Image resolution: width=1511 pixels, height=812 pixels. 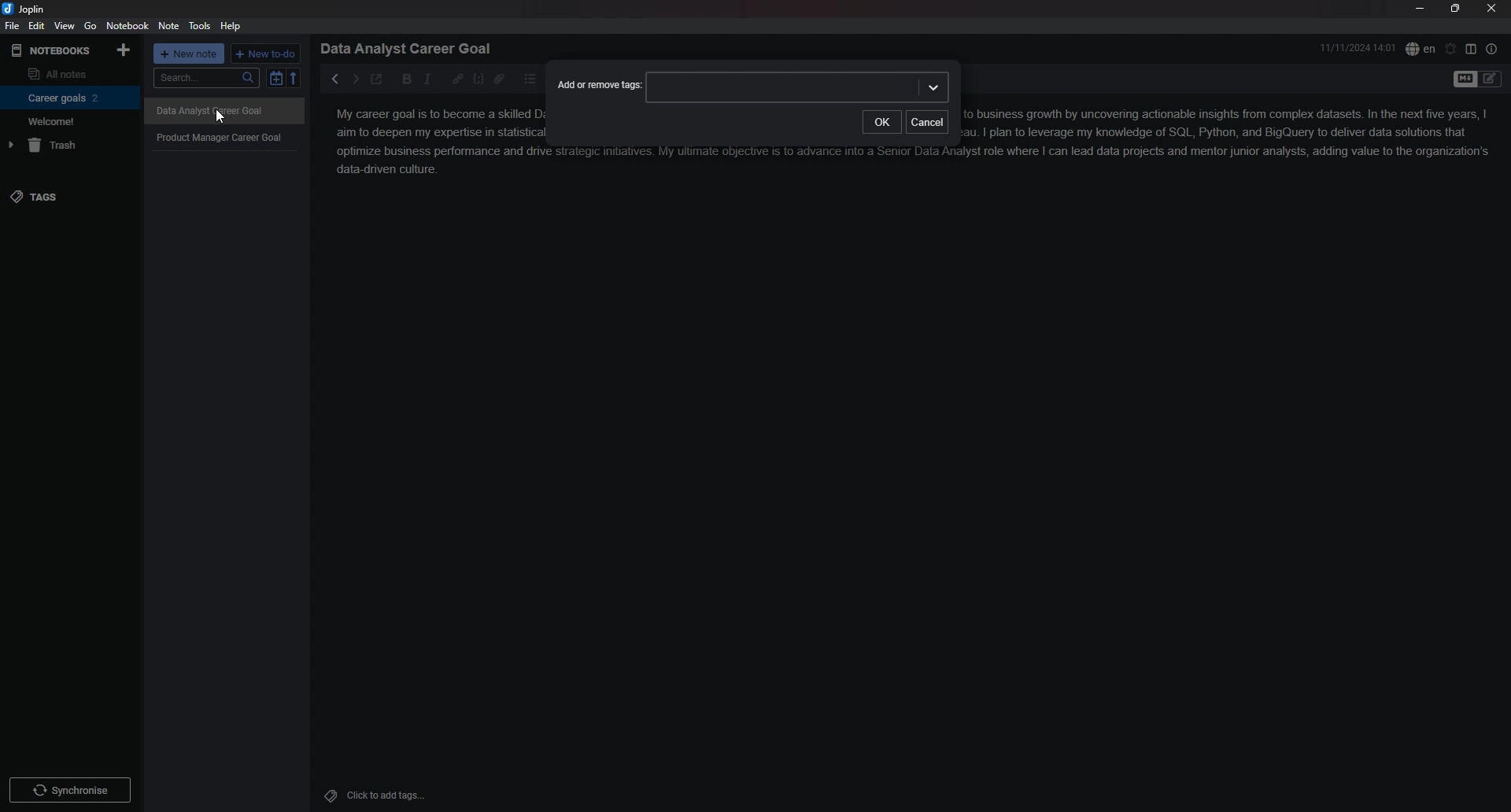 What do you see at coordinates (127, 25) in the screenshot?
I see `notebook` at bounding box center [127, 25].